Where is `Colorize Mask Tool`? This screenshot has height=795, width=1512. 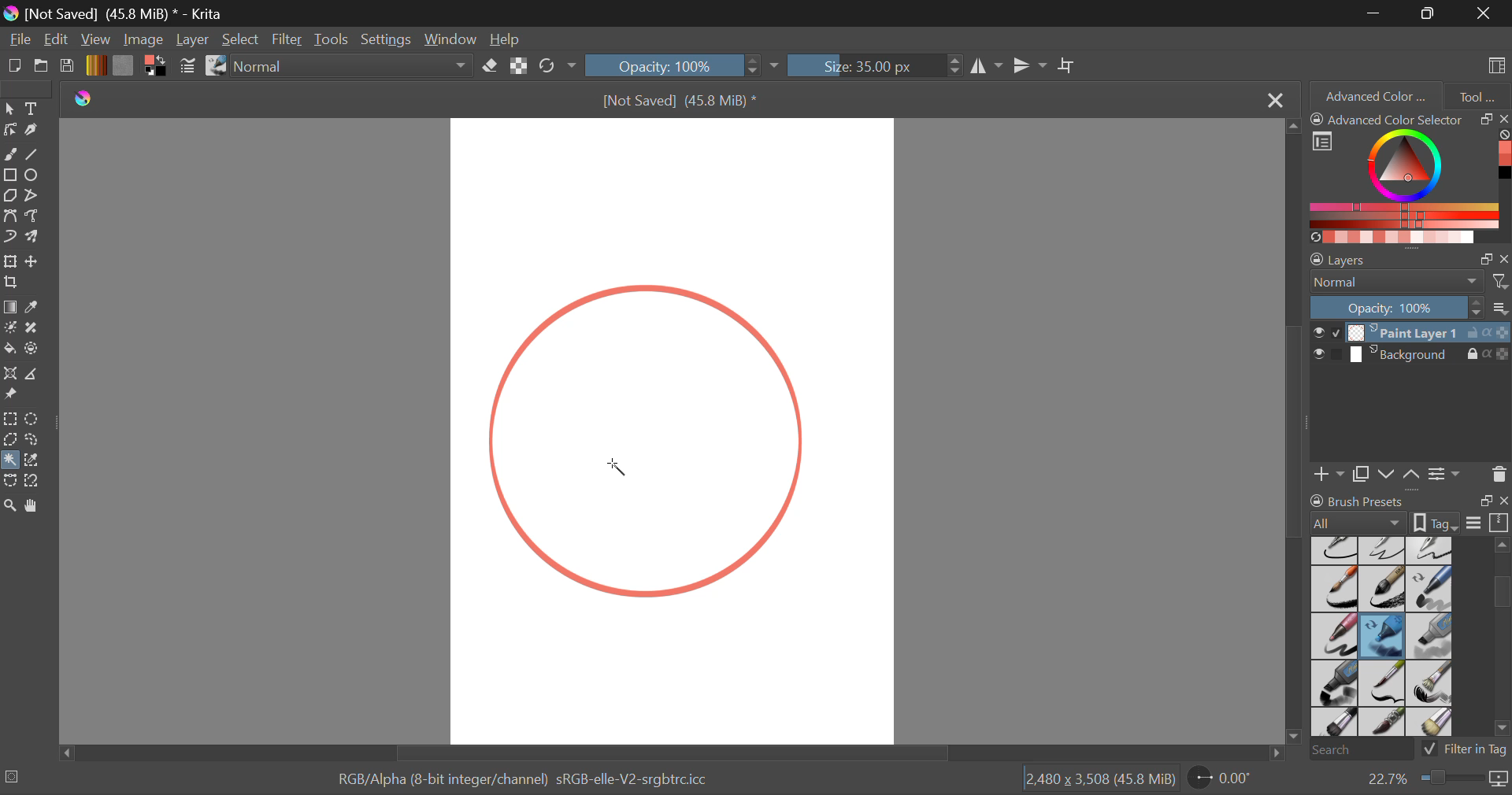 Colorize Mask Tool is located at coordinates (11, 329).